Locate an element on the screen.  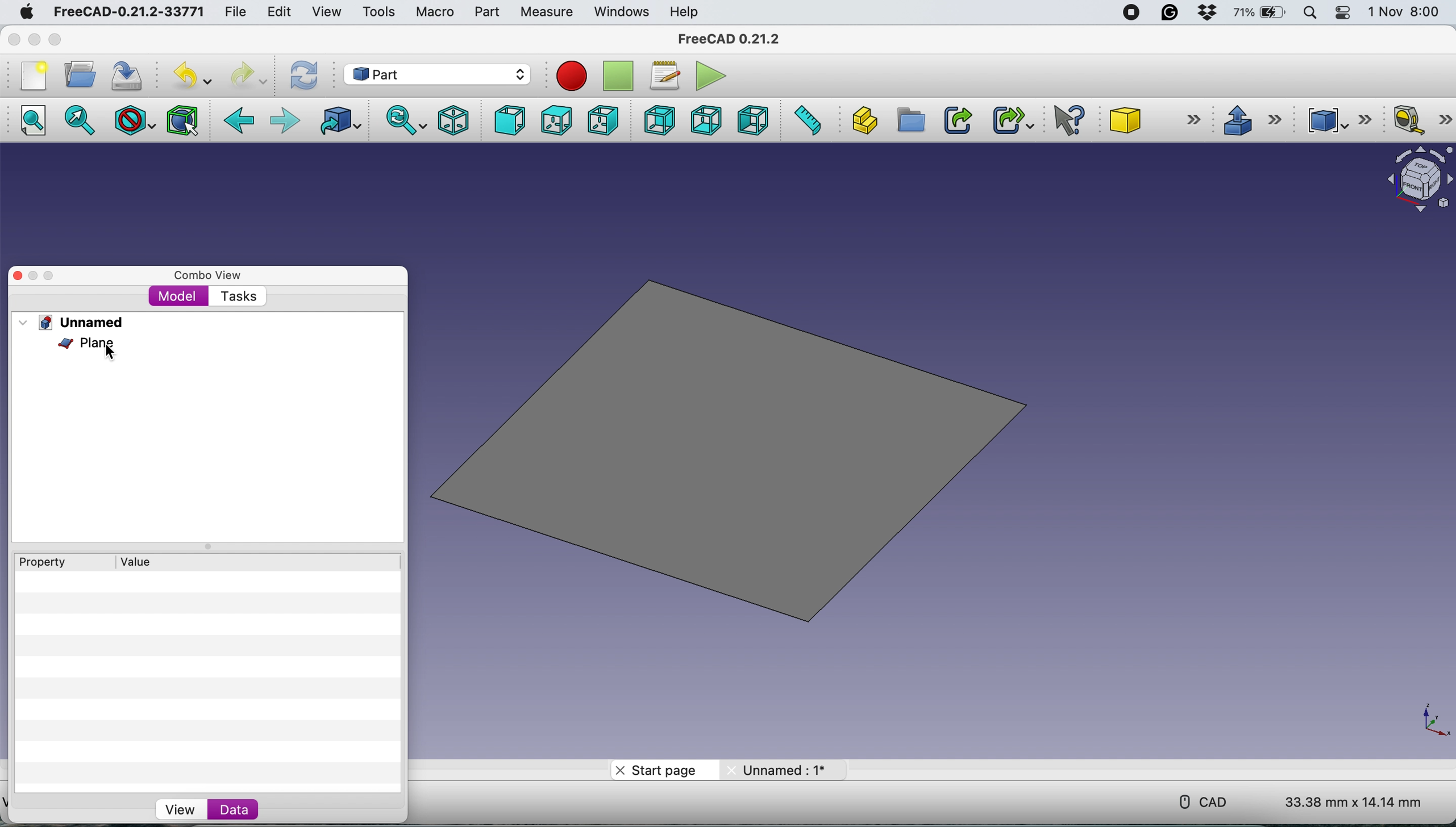
close is located at coordinates (14, 39).